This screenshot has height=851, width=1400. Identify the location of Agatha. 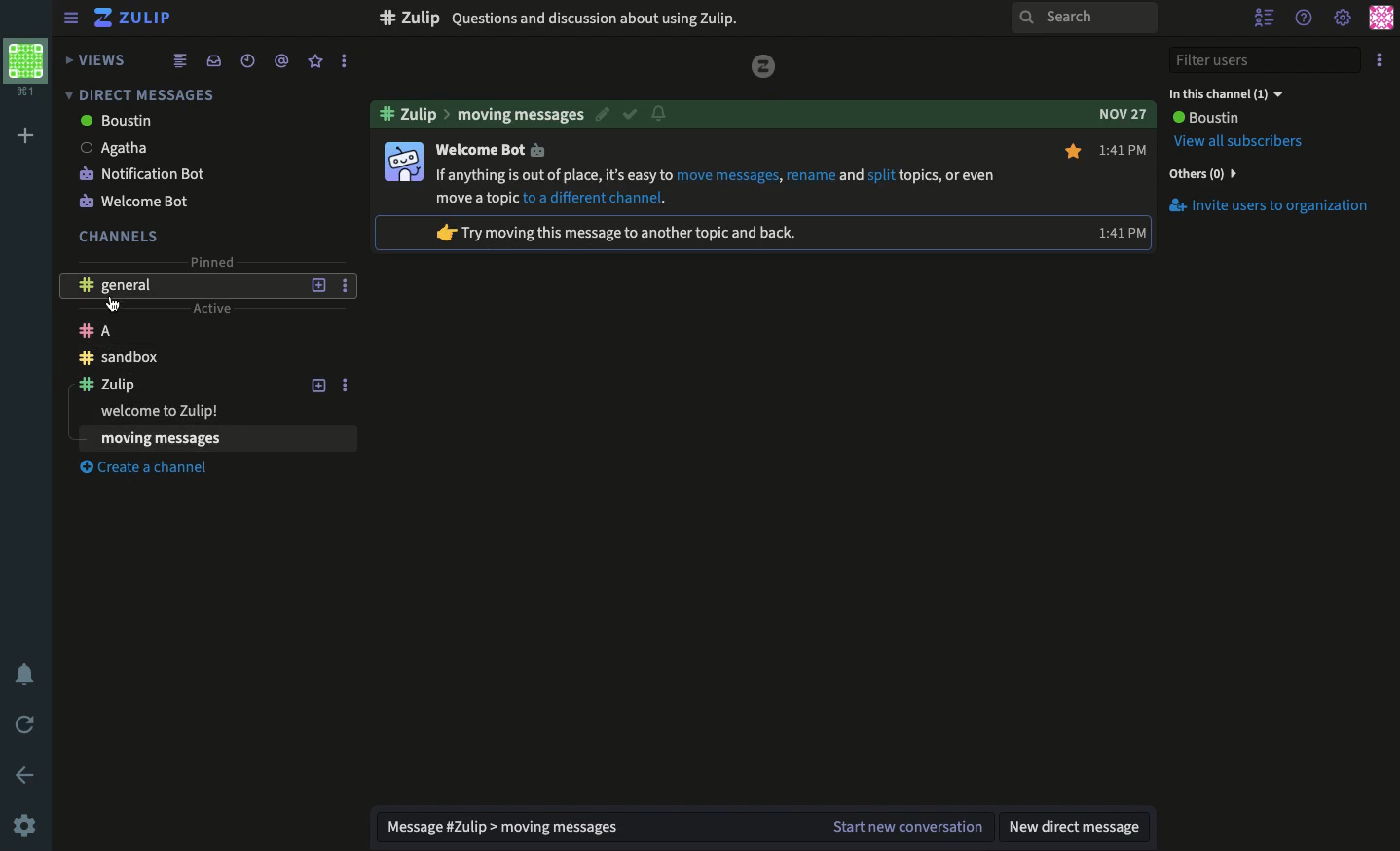
(185, 147).